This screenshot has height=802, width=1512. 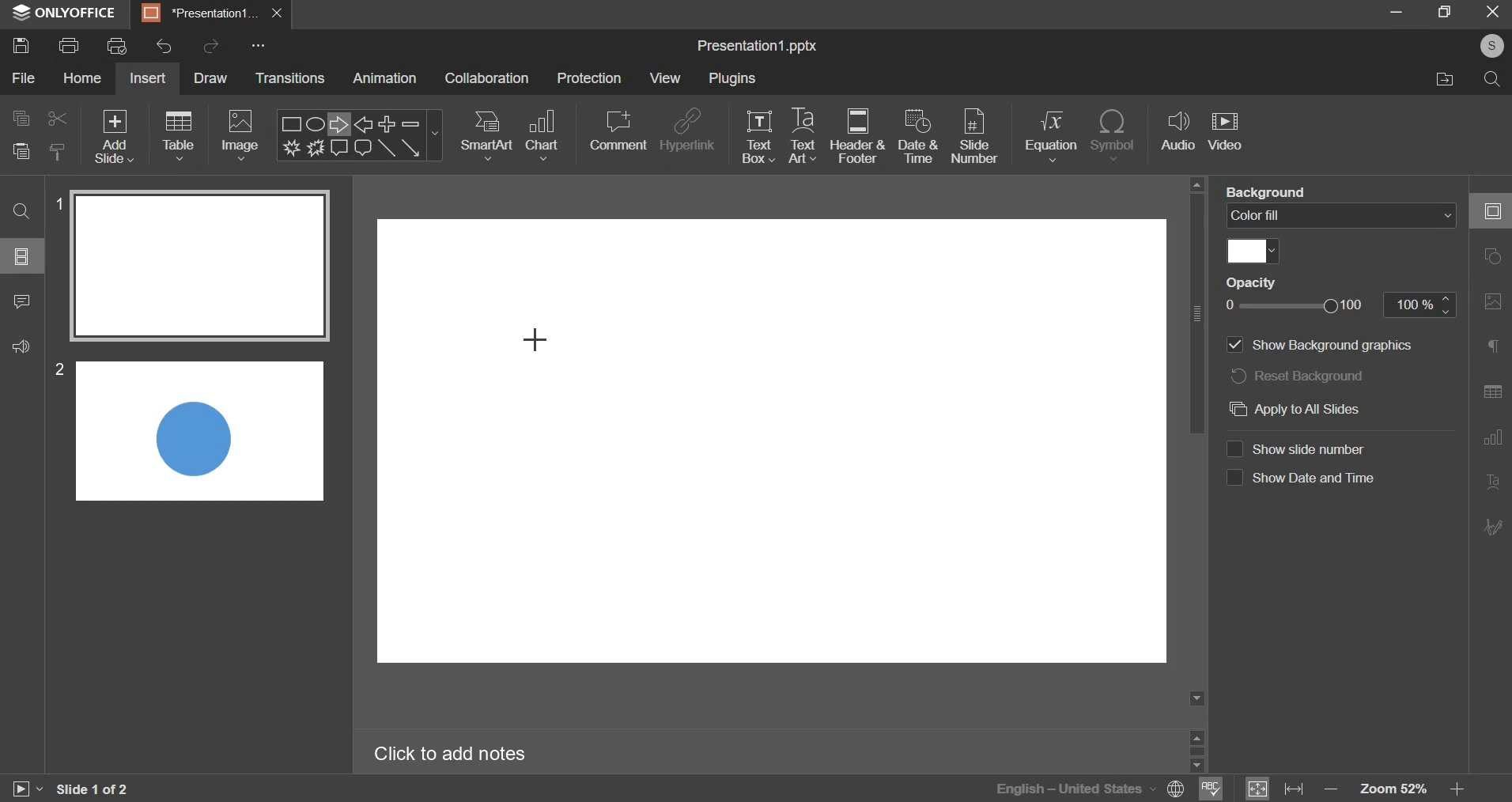 I want to click on ONLYOFFICE, so click(x=62, y=15).